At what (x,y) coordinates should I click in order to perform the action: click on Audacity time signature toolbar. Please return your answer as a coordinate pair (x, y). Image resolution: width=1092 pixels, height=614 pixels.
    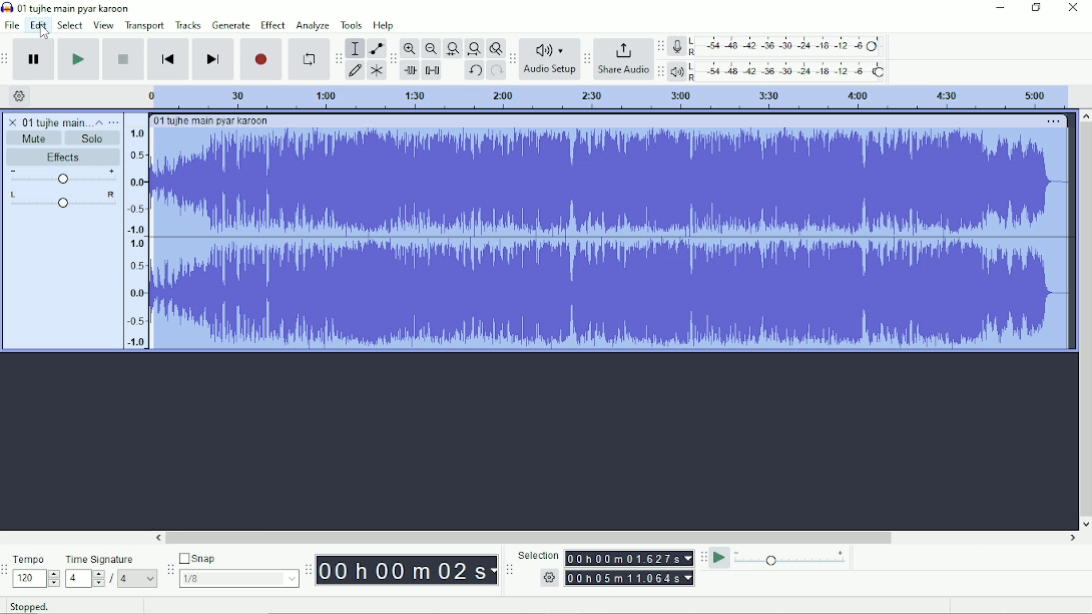
    Looking at the image, I should click on (7, 570).